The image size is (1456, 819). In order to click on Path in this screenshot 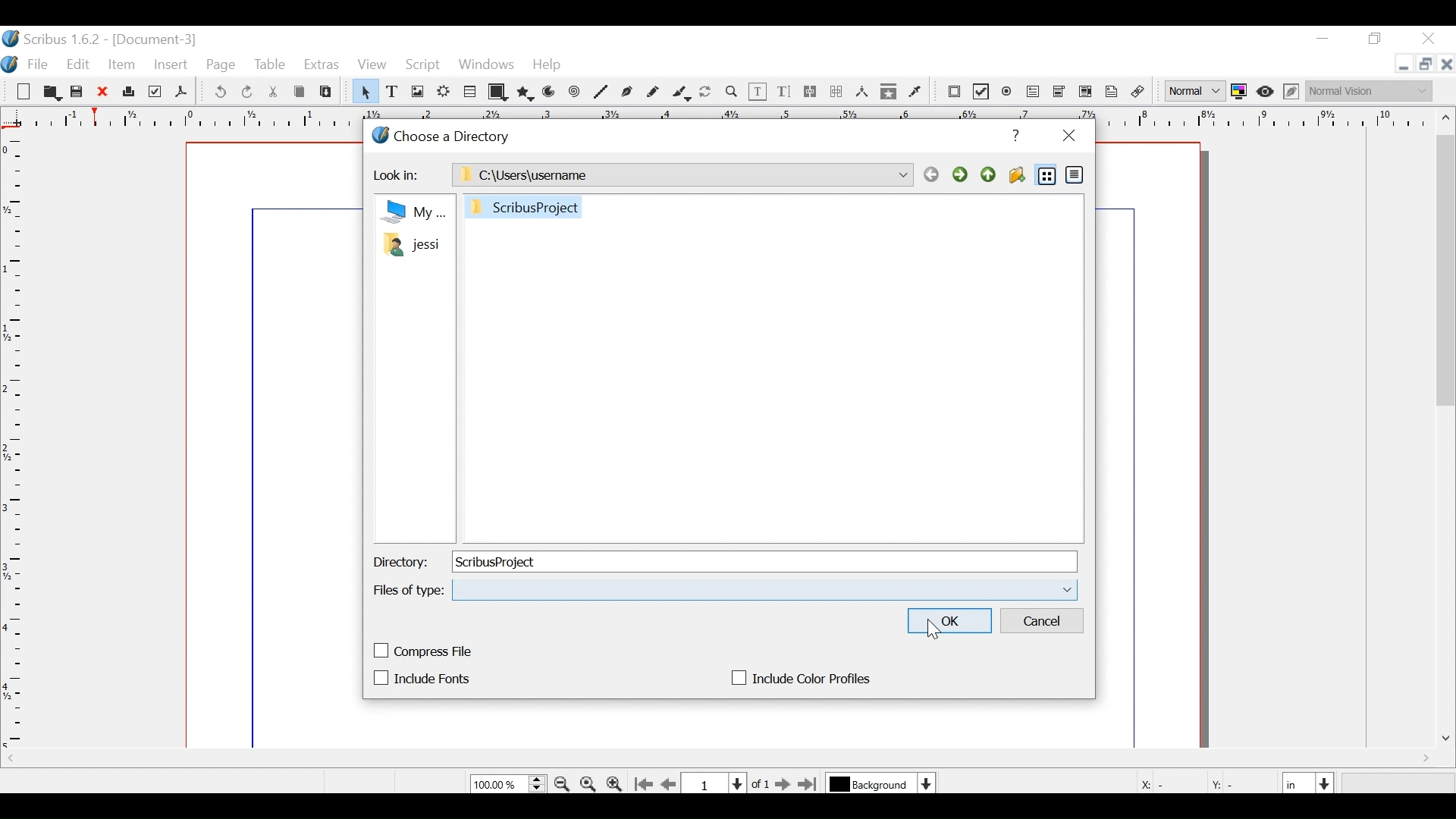, I will do `click(680, 175)`.